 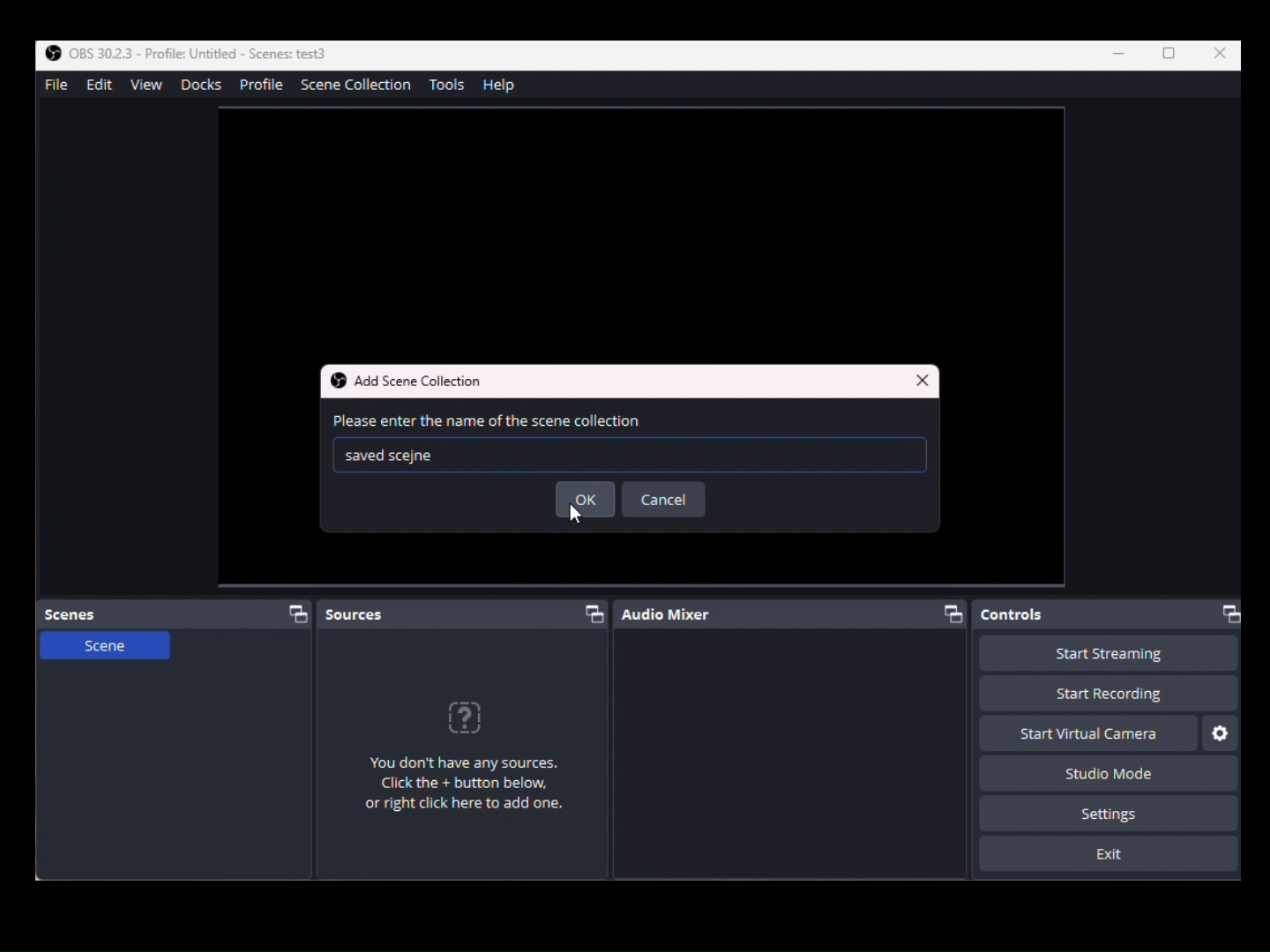 What do you see at coordinates (419, 381) in the screenshot?
I see `Add scene collection` at bounding box center [419, 381].